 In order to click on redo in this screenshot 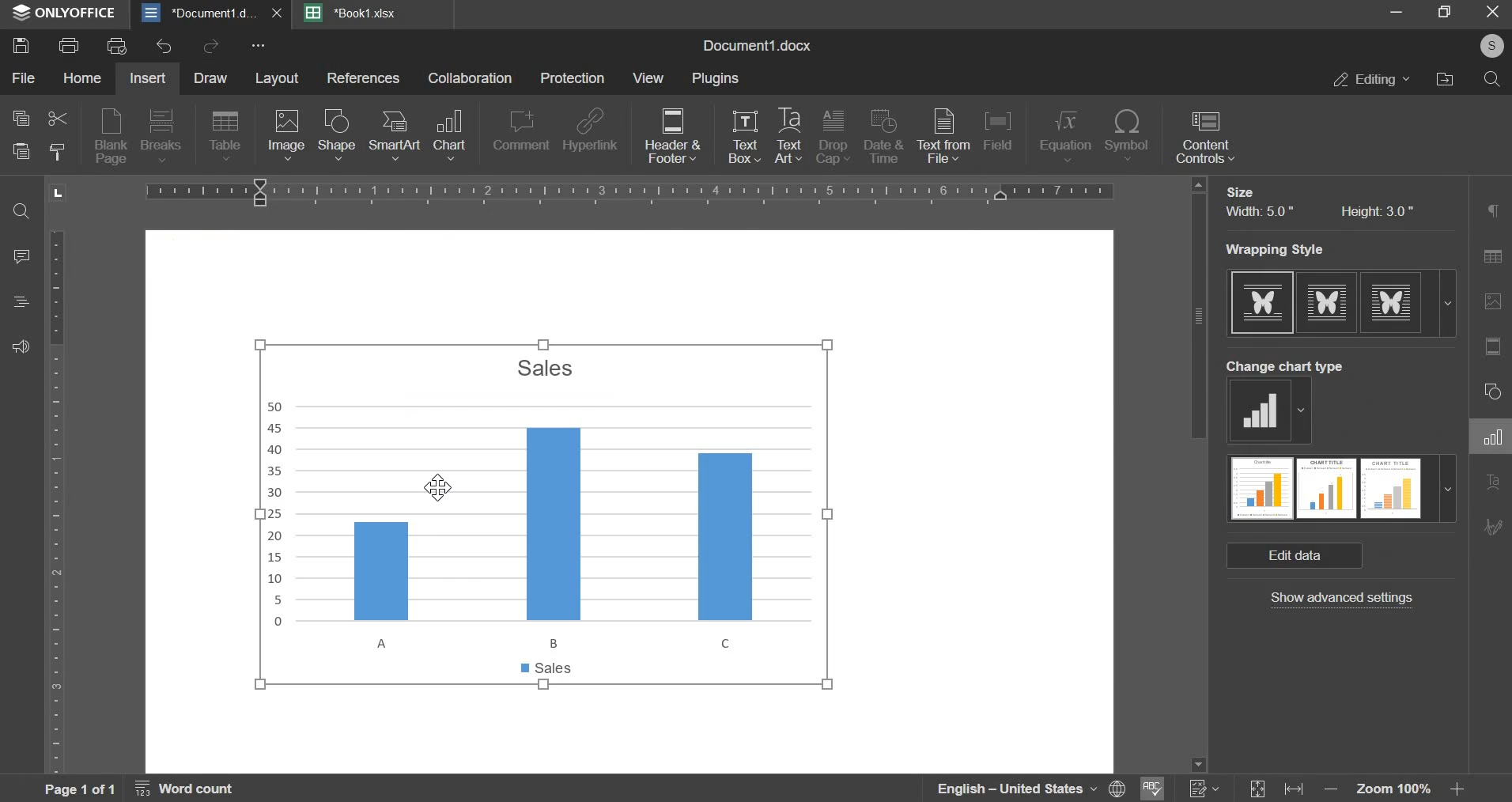, I will do `click(210, 47)`.